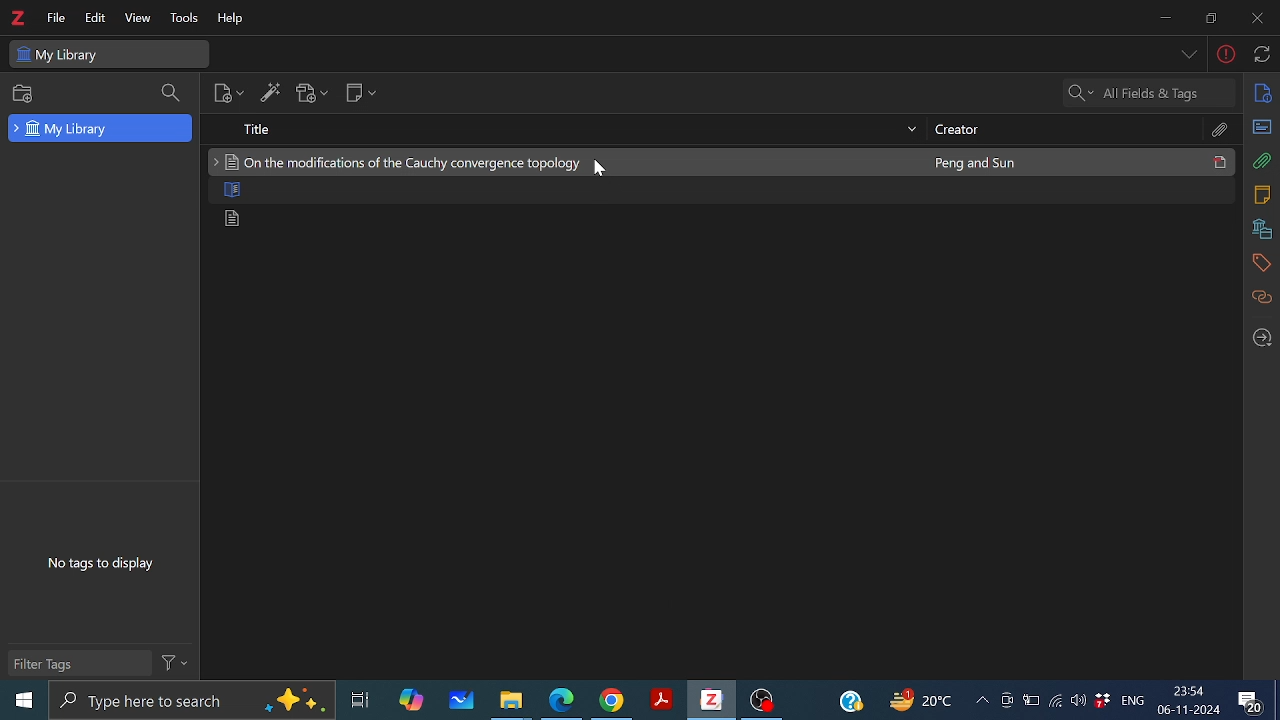  Describe the element at coordinates (762, 702) in the screenshot. I see `OBS studio` at that location.